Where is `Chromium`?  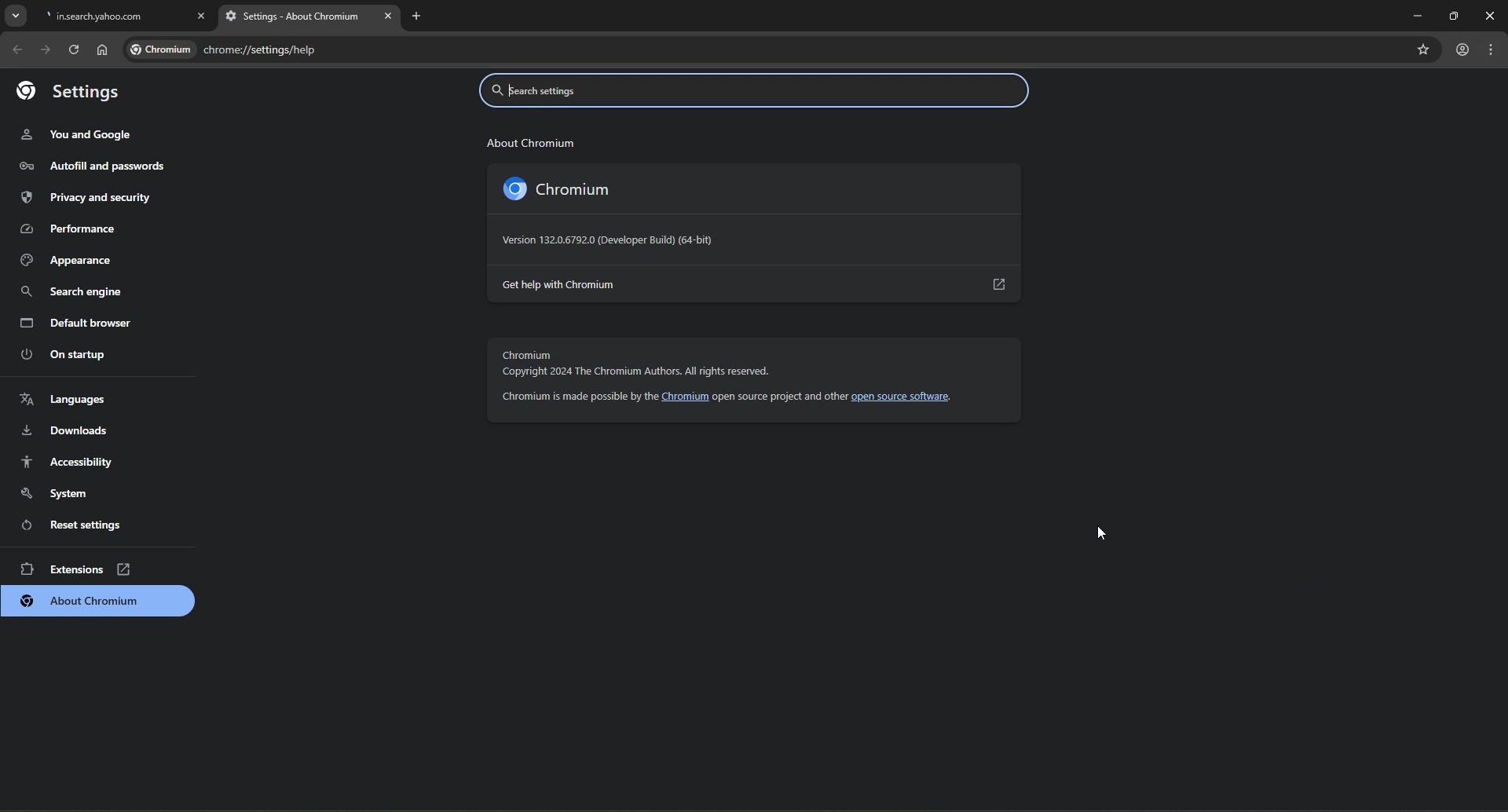 Chromium is located at coordinates (529, 357).